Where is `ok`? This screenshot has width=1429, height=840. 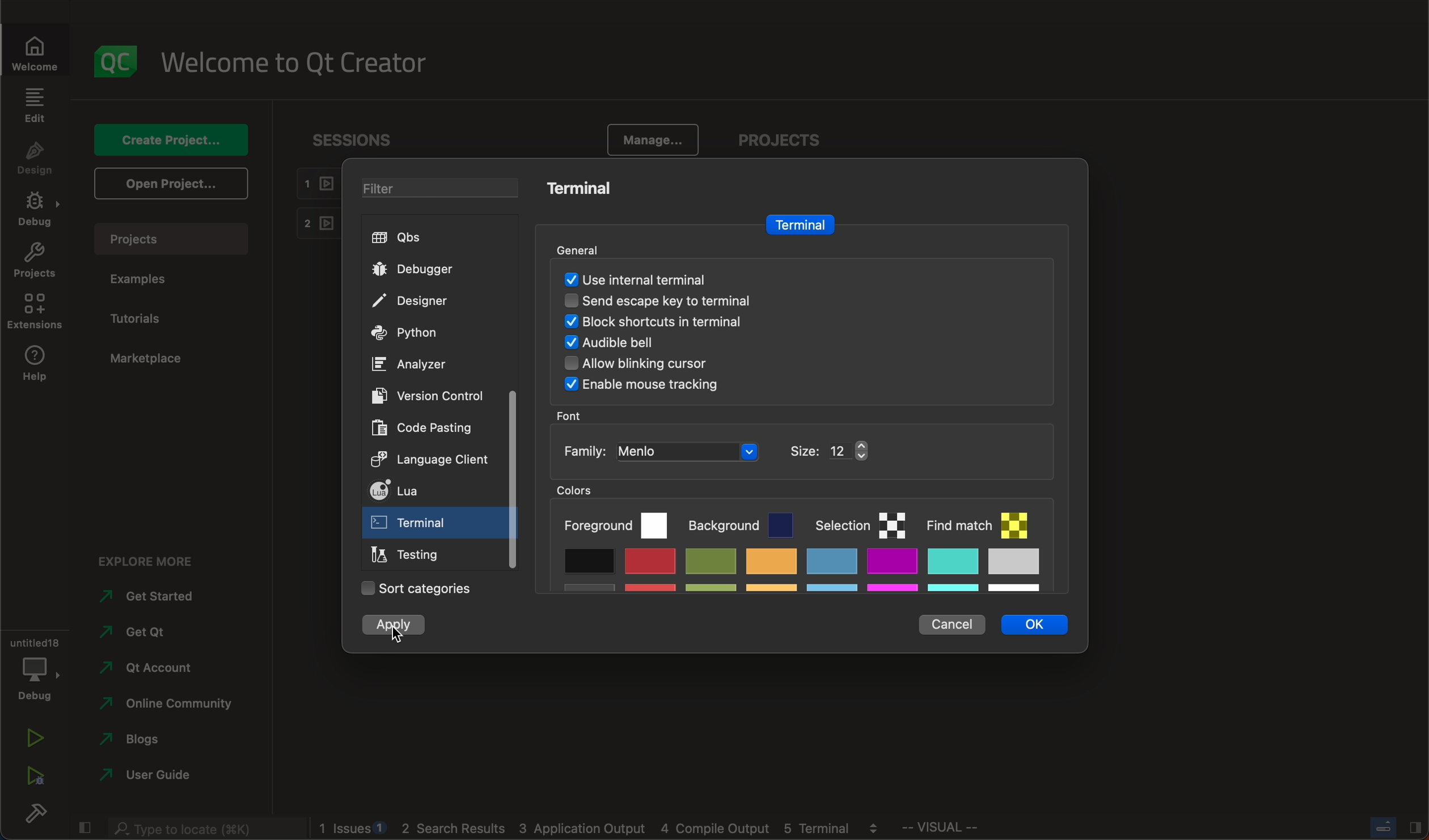 ok is located at coordinates (1030, 624).